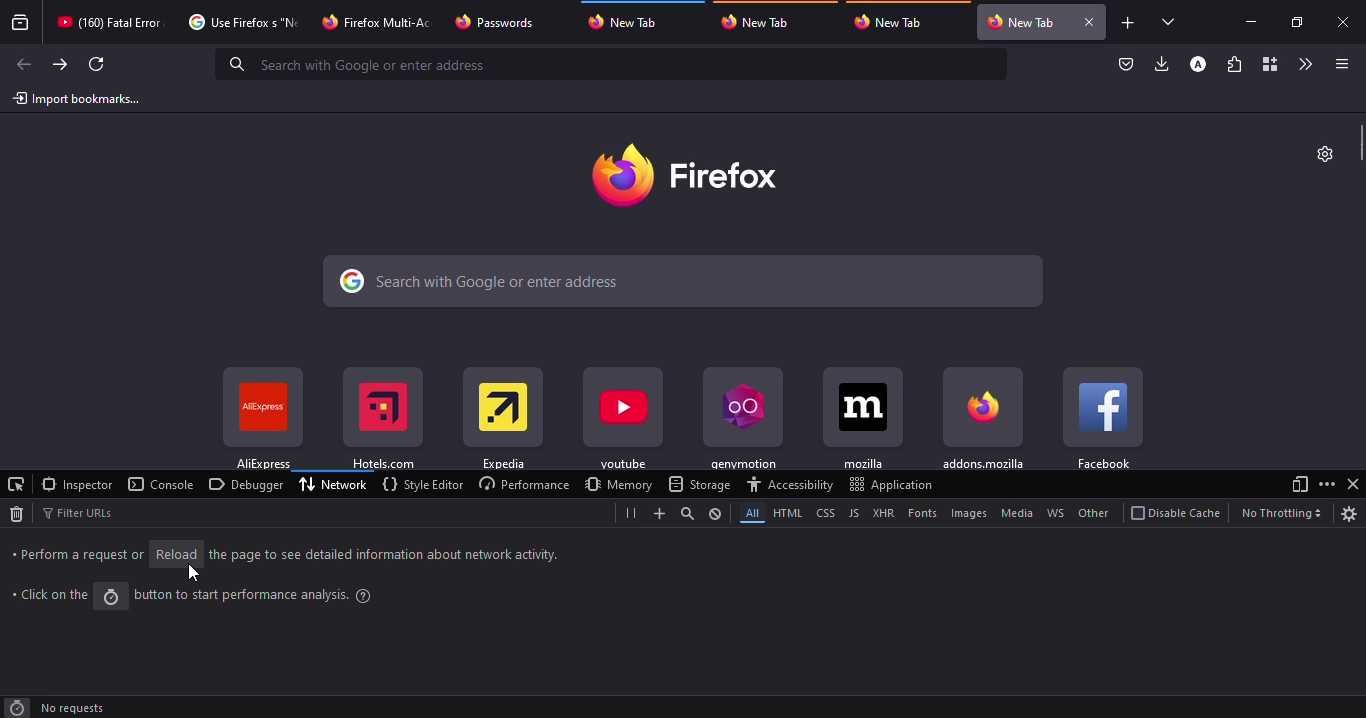 This screenshot has width=1366, height=718. I want to click on css, so click(824, 512).